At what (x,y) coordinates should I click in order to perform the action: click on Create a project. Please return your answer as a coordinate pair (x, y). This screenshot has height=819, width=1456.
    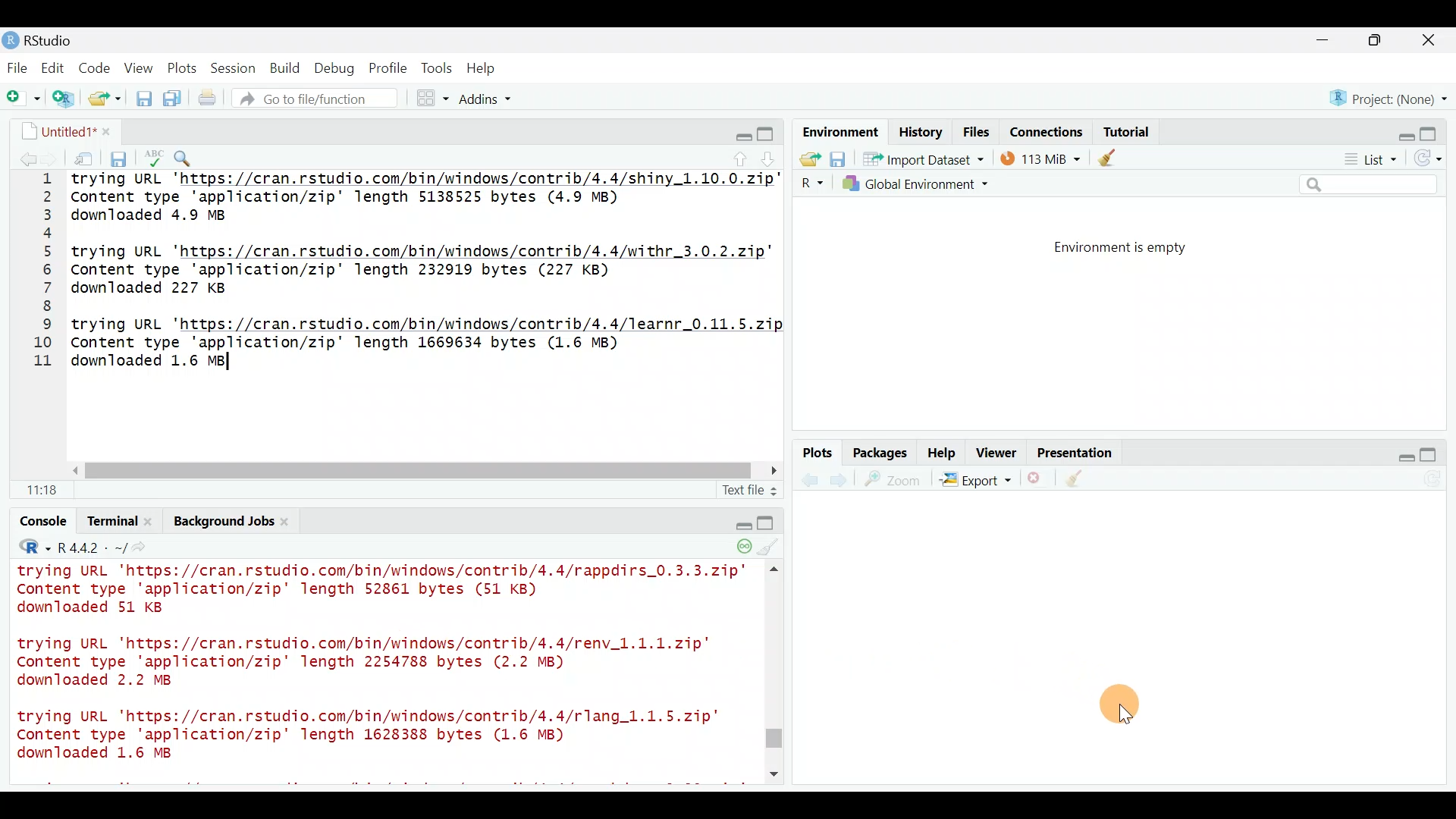
    Looking at the image, I should click on (65, 99).